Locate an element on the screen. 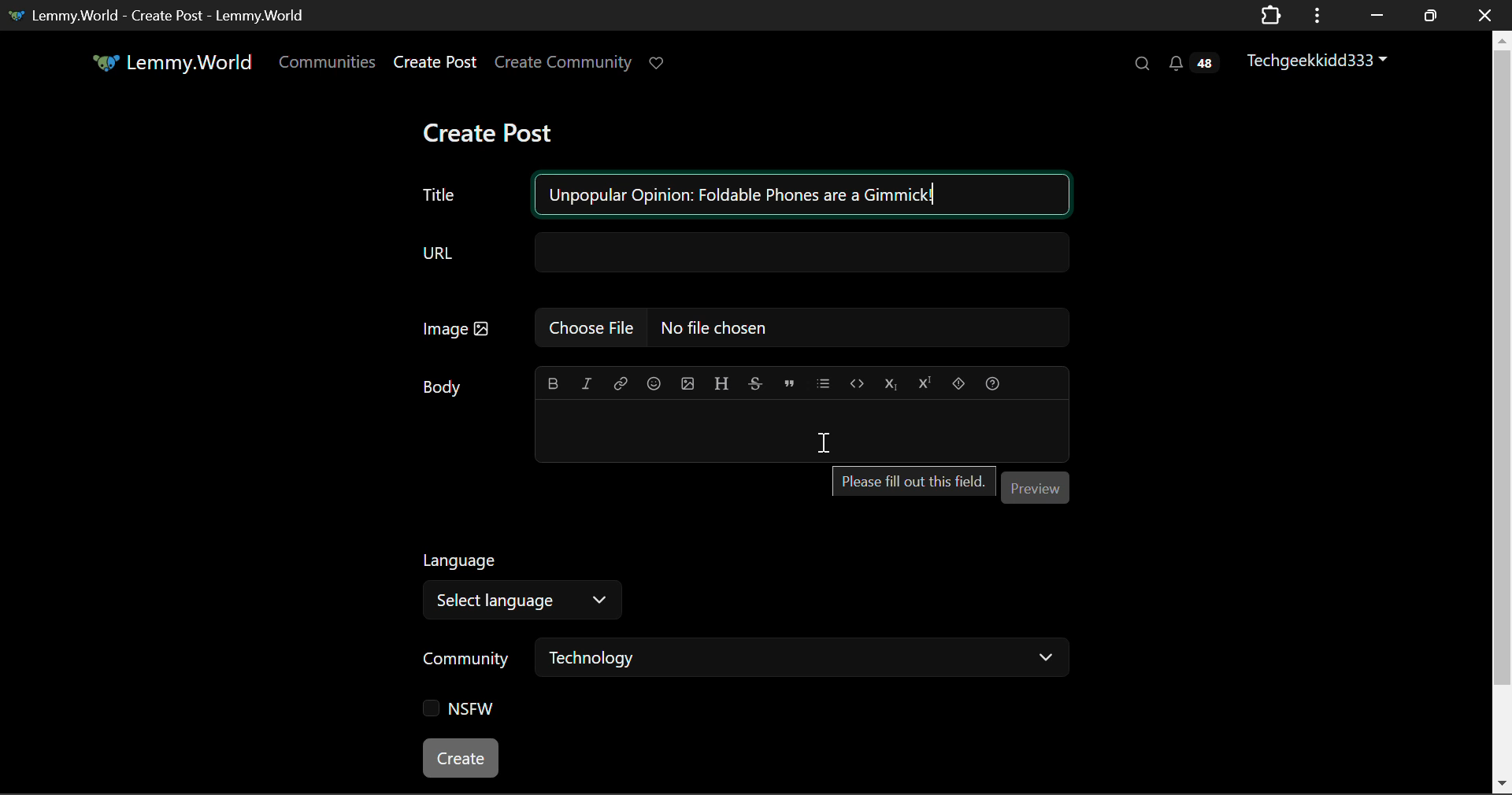 The image size is (1512, 795). NSFW Checkbox is located at coordinates (465, 712).